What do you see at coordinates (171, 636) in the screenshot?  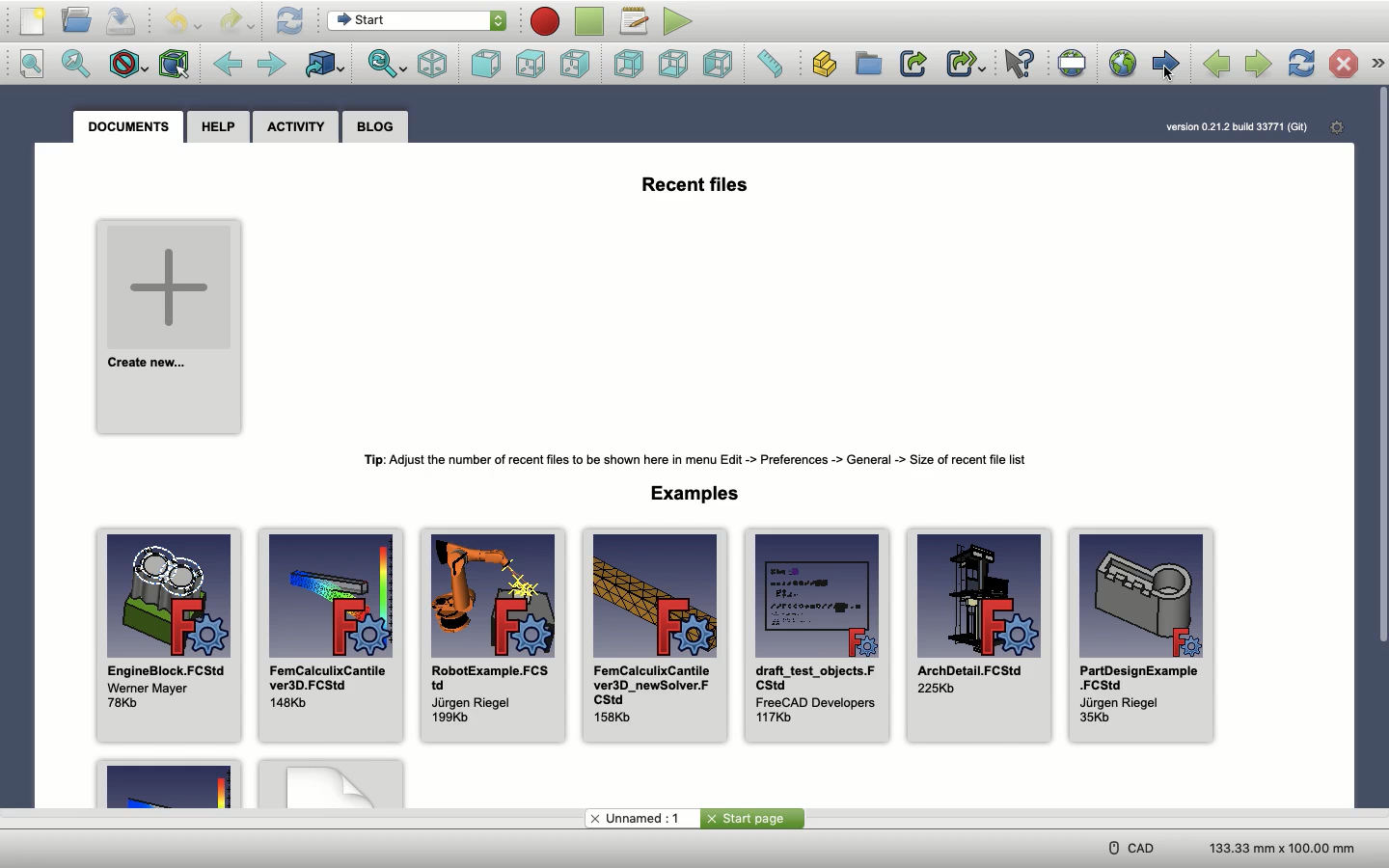 I see `EngineBlock.FCStd` at bounding box center [171, 636].